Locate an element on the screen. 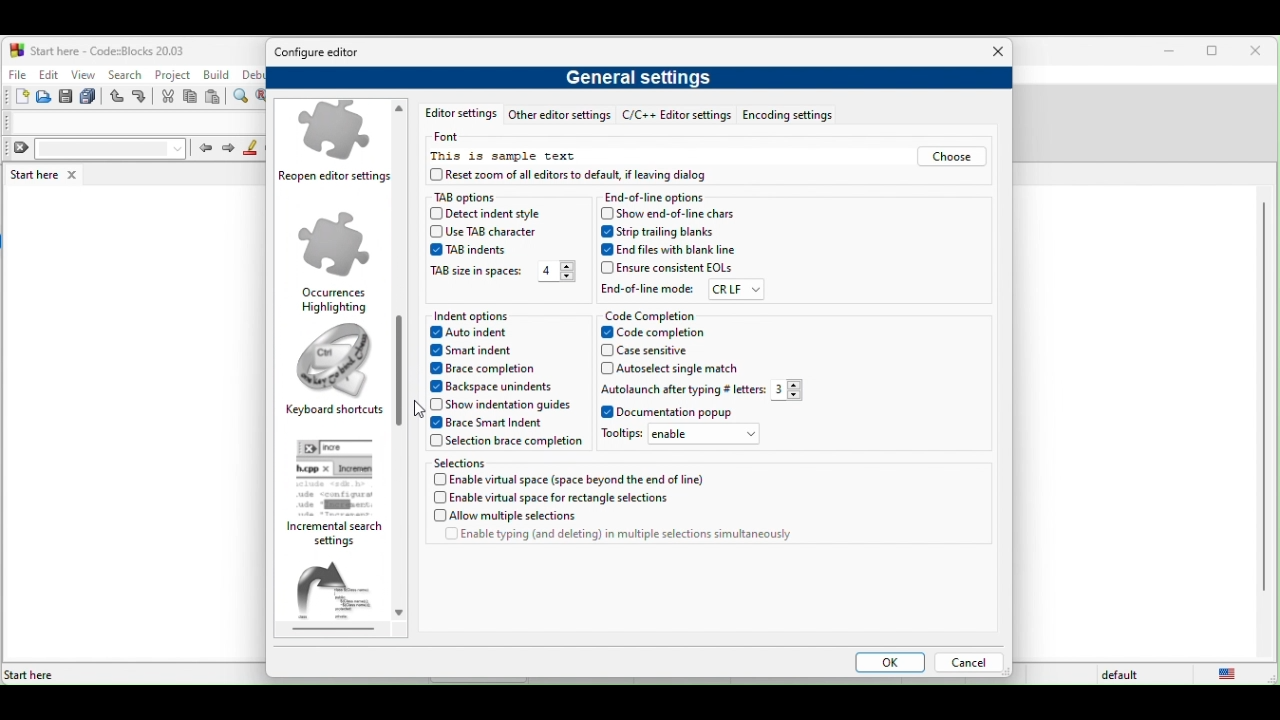  autoselect single match is located at coordinates (674, 369).